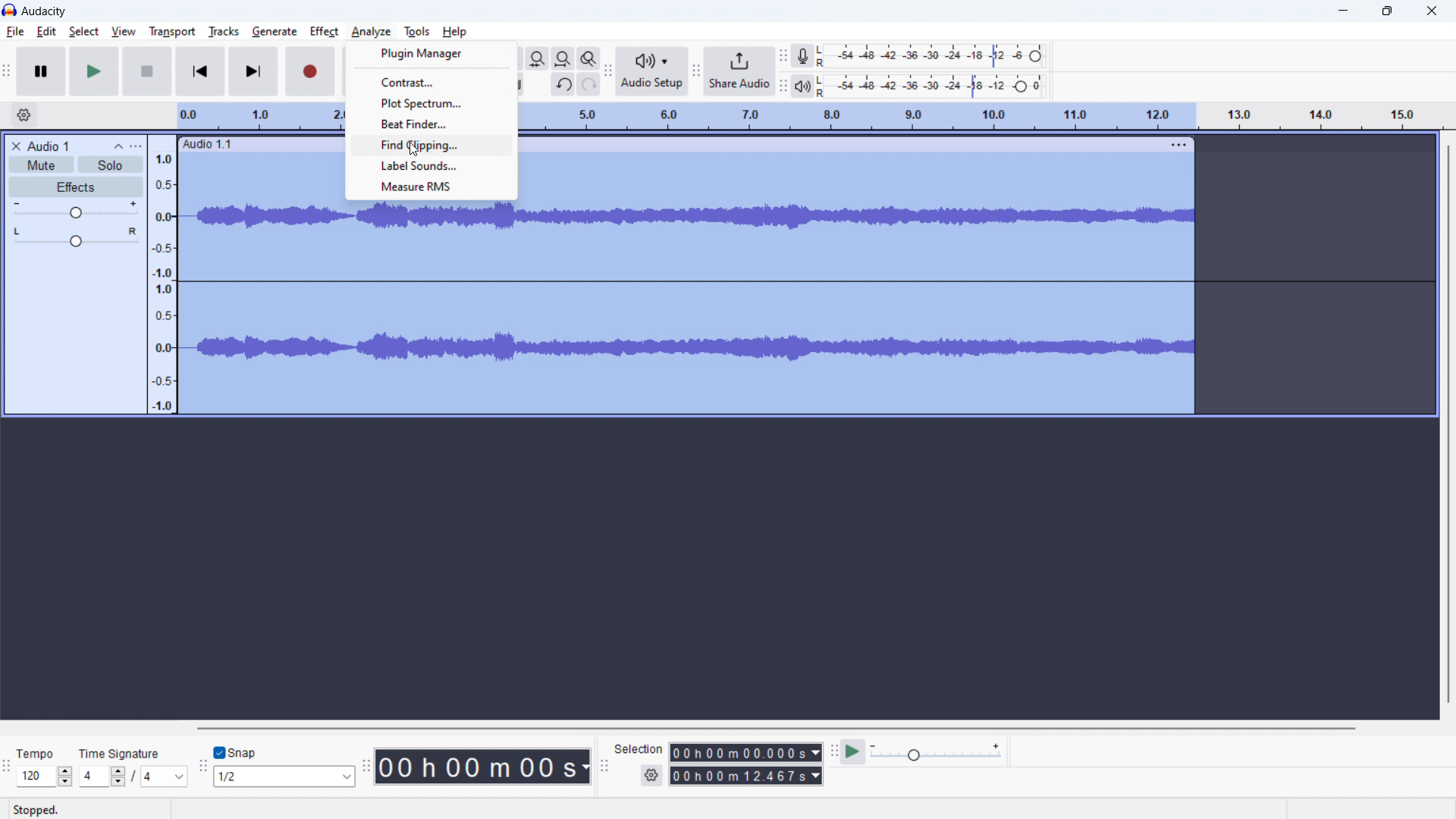 The height and width of the screenshot is (819, 1456). What do you see at coordinates (782, 58) in the screenshot?
I see `recording meter toolbar` at bounding box center [782, 58].